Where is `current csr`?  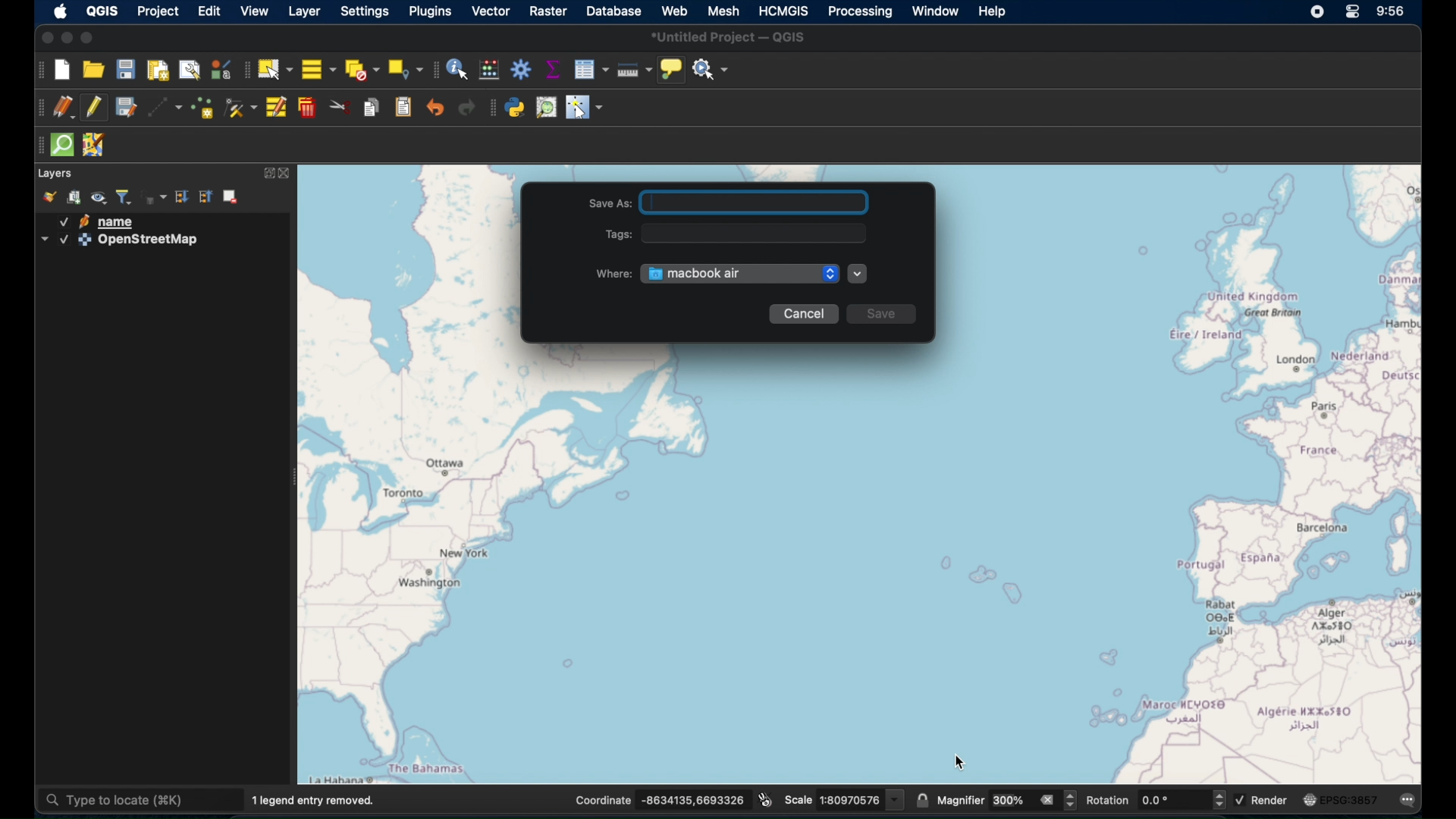 current csr is located at coordinates (1341, 800).